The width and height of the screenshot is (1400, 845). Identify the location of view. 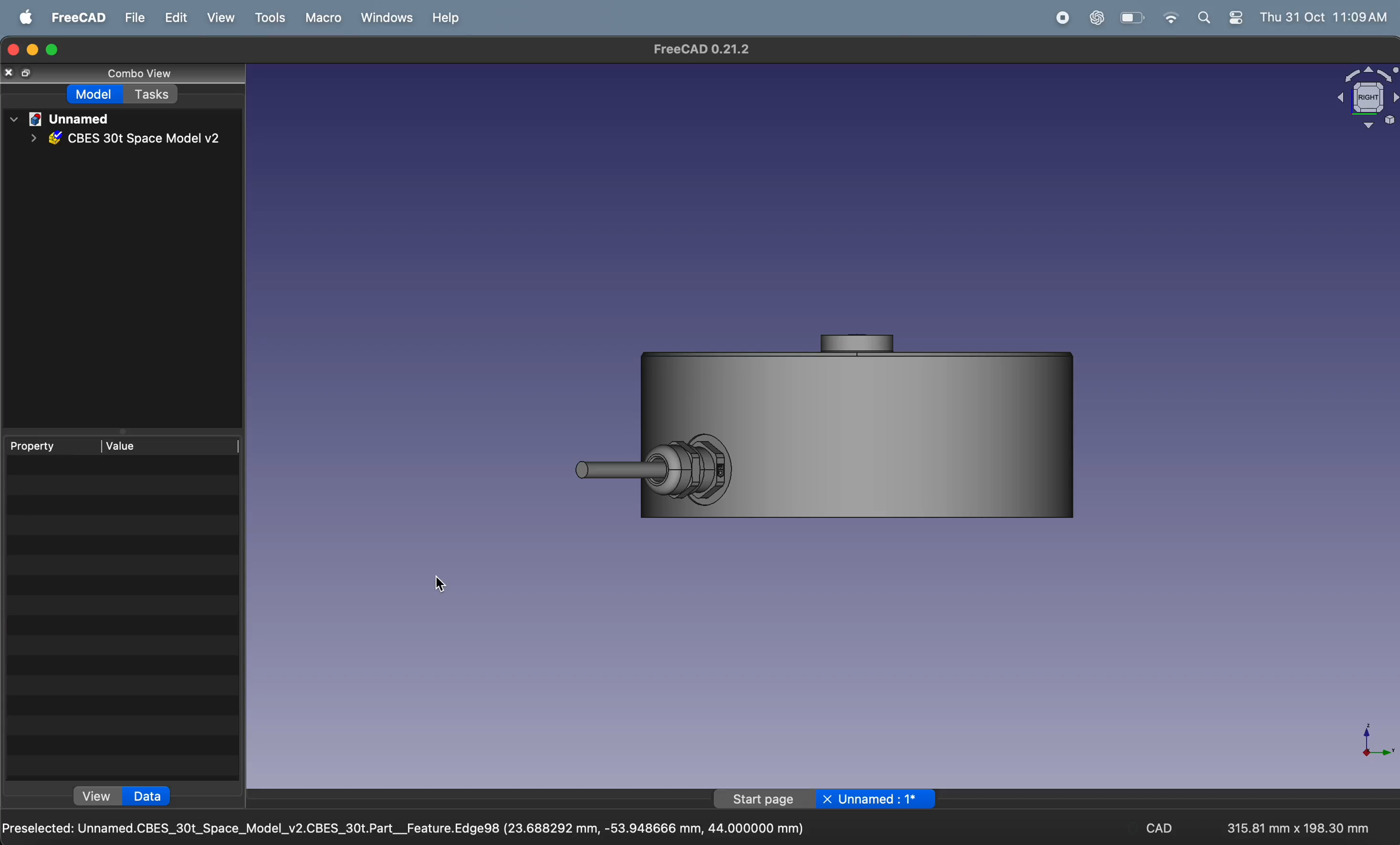
(224, 18).